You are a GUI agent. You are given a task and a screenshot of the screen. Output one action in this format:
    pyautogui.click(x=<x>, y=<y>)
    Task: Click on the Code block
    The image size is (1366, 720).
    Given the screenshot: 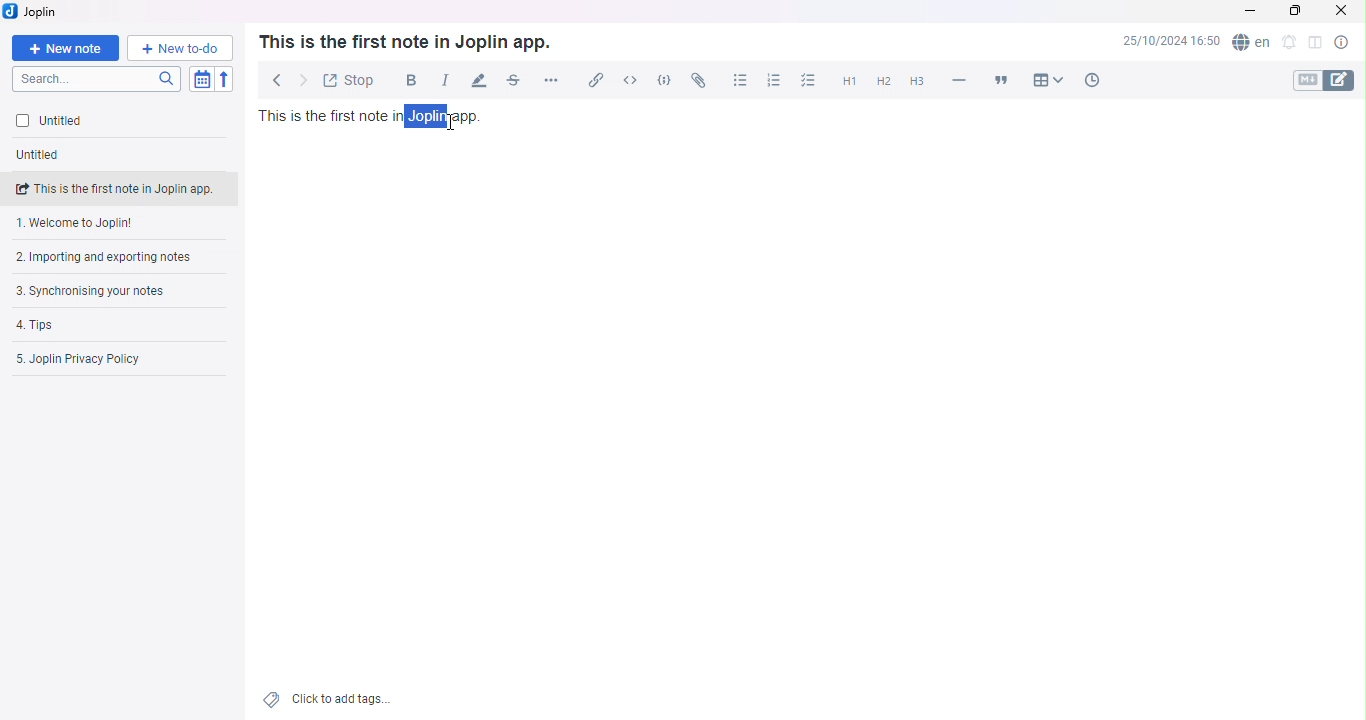 What is the action you would take?
    pyautogui.click(x=664, y=80)
    